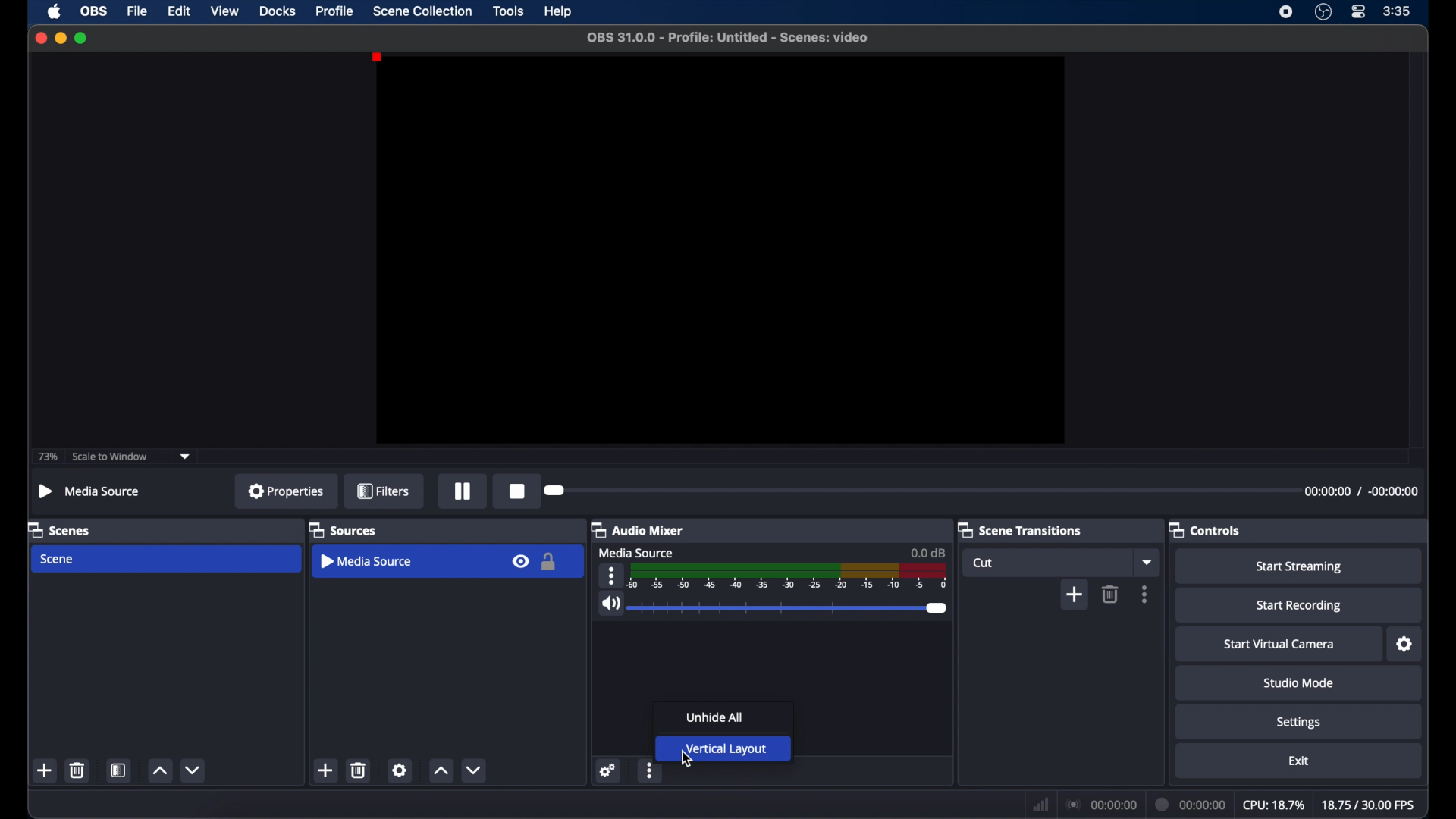 This screenshot has width=1456, height=819. I want to click on increment, so click(159, 770).